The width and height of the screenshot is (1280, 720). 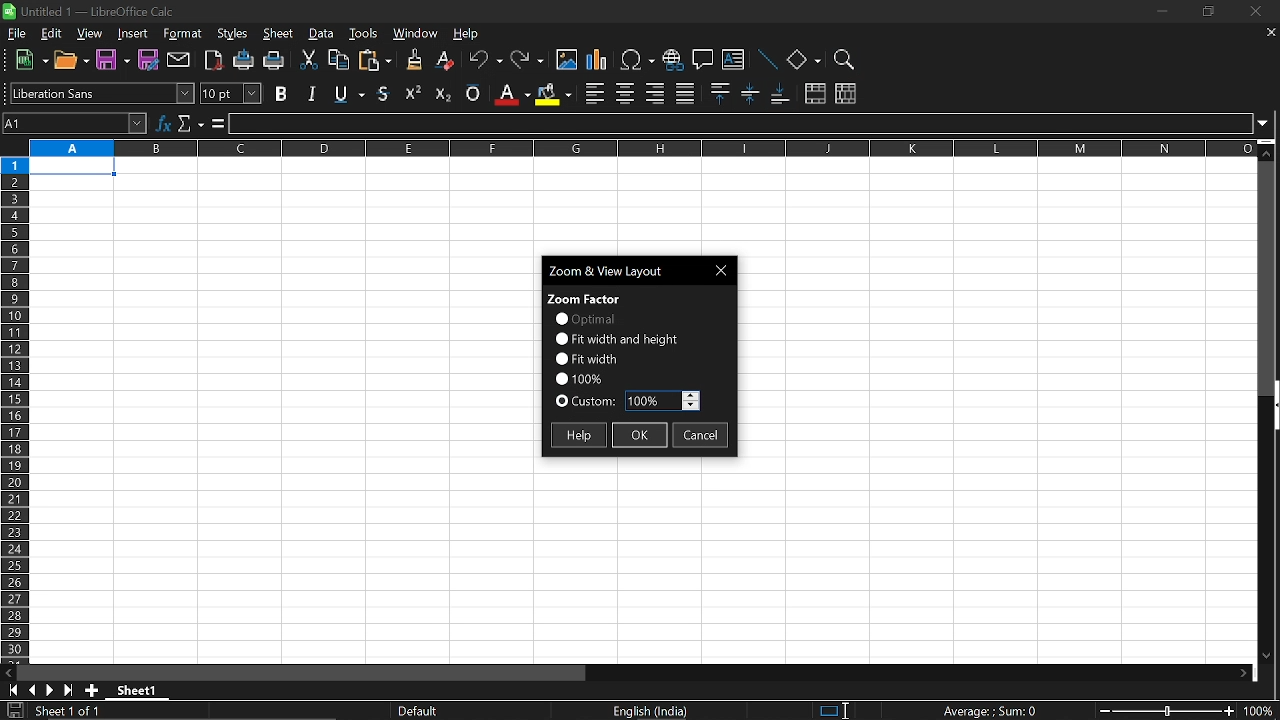 I want to click on text style, so click(x=102, y=93).